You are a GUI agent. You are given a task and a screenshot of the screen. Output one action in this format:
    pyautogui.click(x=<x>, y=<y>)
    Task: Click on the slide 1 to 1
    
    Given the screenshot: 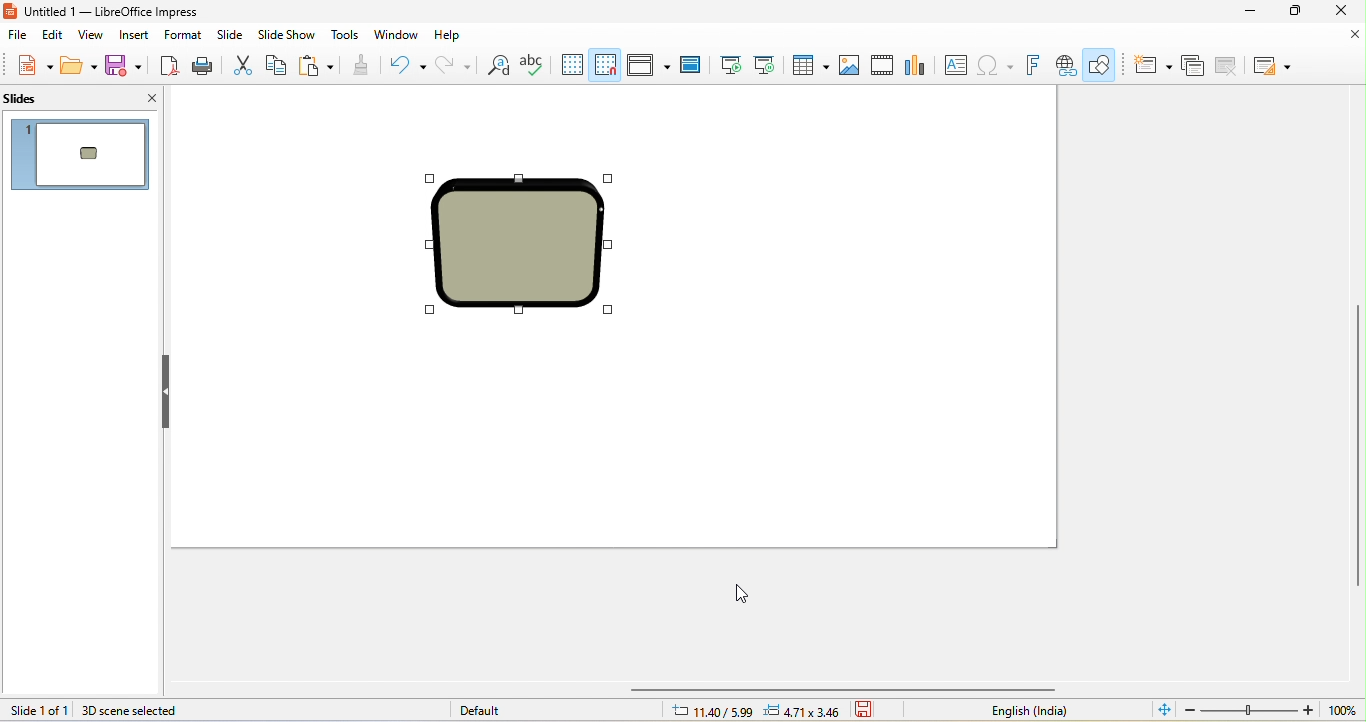 What is the action you would take?
    pyautogui.click(x=35, y=710)
    